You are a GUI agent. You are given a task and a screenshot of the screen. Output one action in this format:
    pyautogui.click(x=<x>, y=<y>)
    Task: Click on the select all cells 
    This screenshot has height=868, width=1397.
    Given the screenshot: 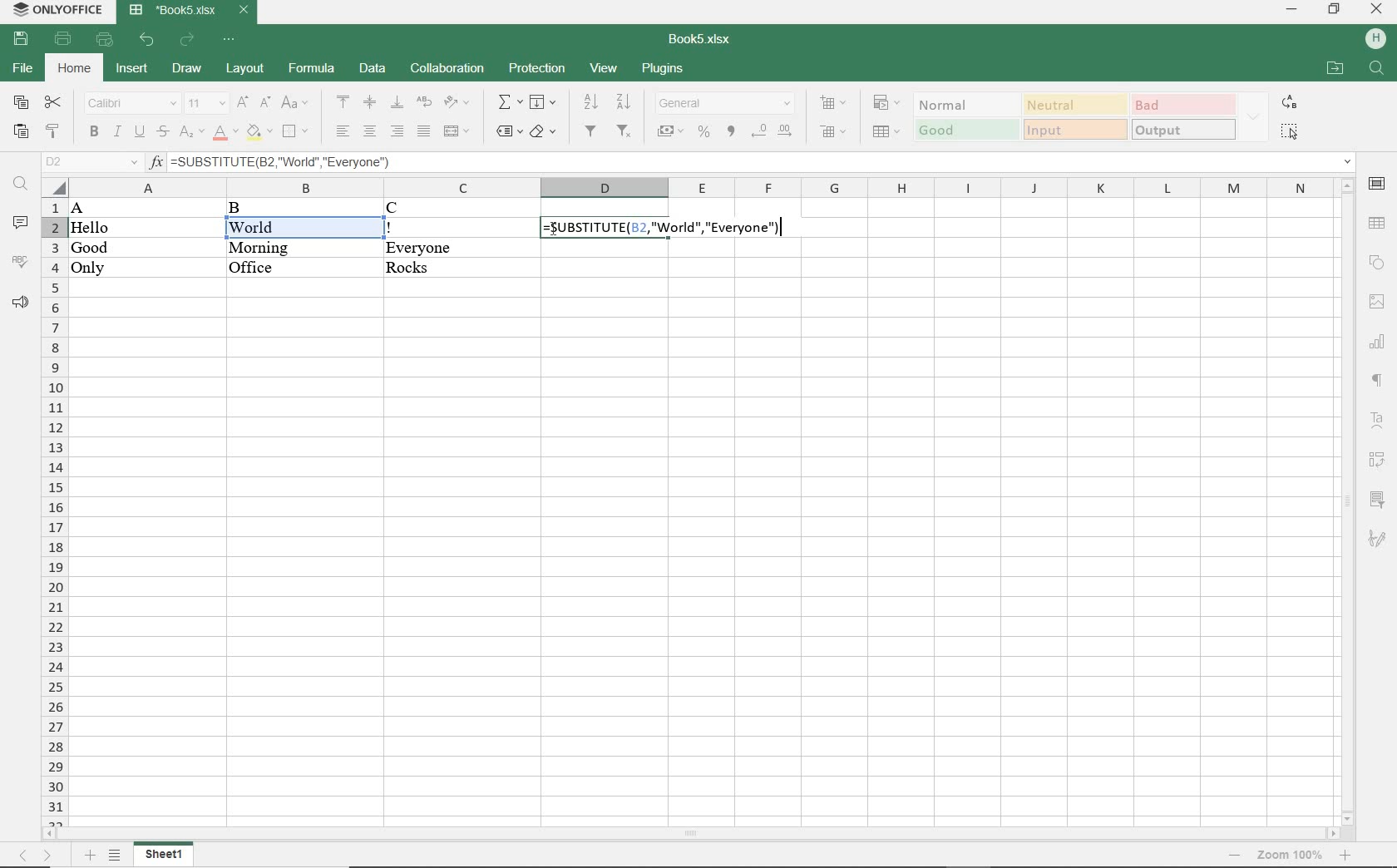 What is the action you would take?
    pyautogui.click(x=54, y=185)
    